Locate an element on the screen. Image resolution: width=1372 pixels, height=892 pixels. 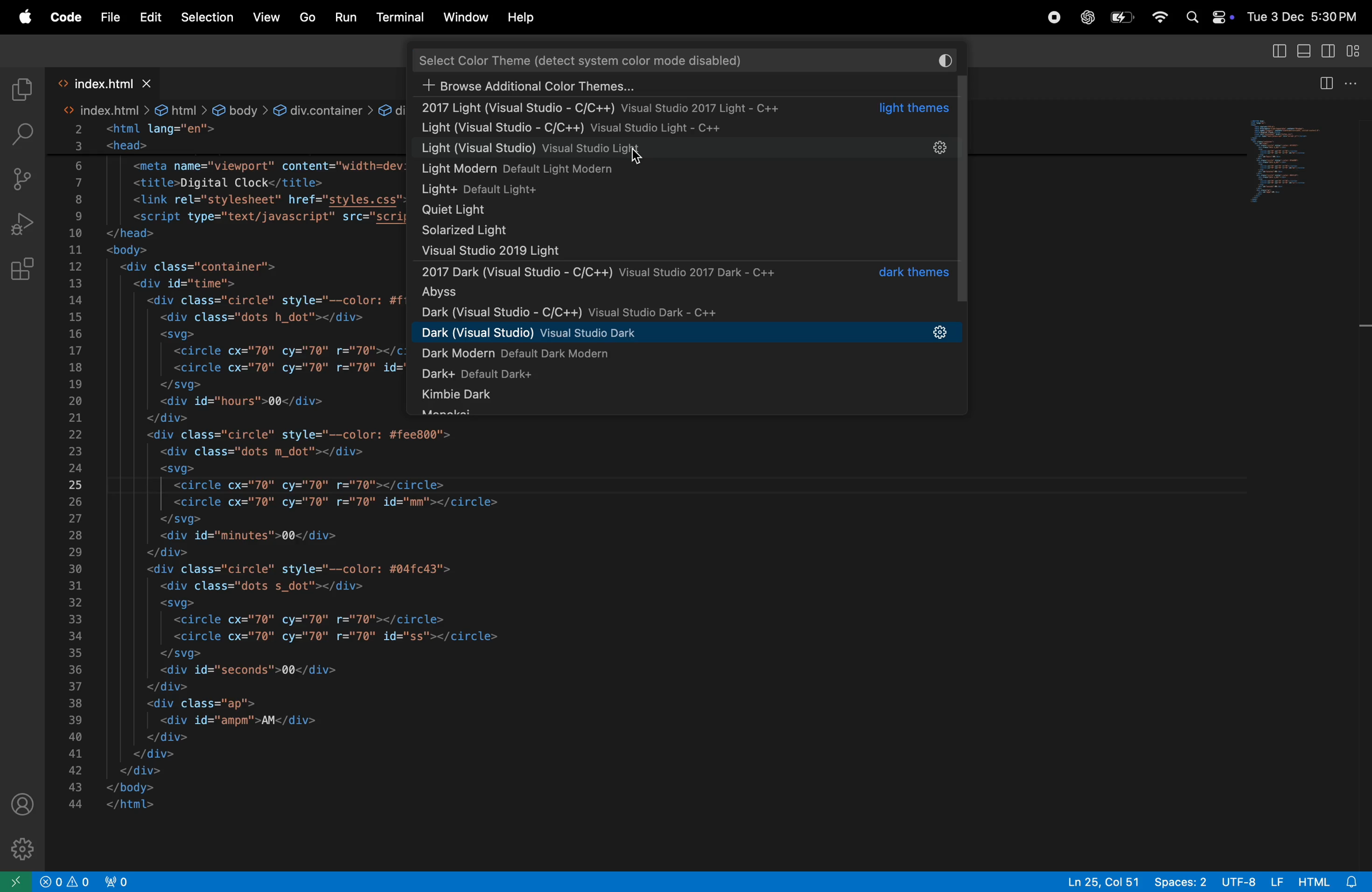
source control is located at coordinates (22, 177).